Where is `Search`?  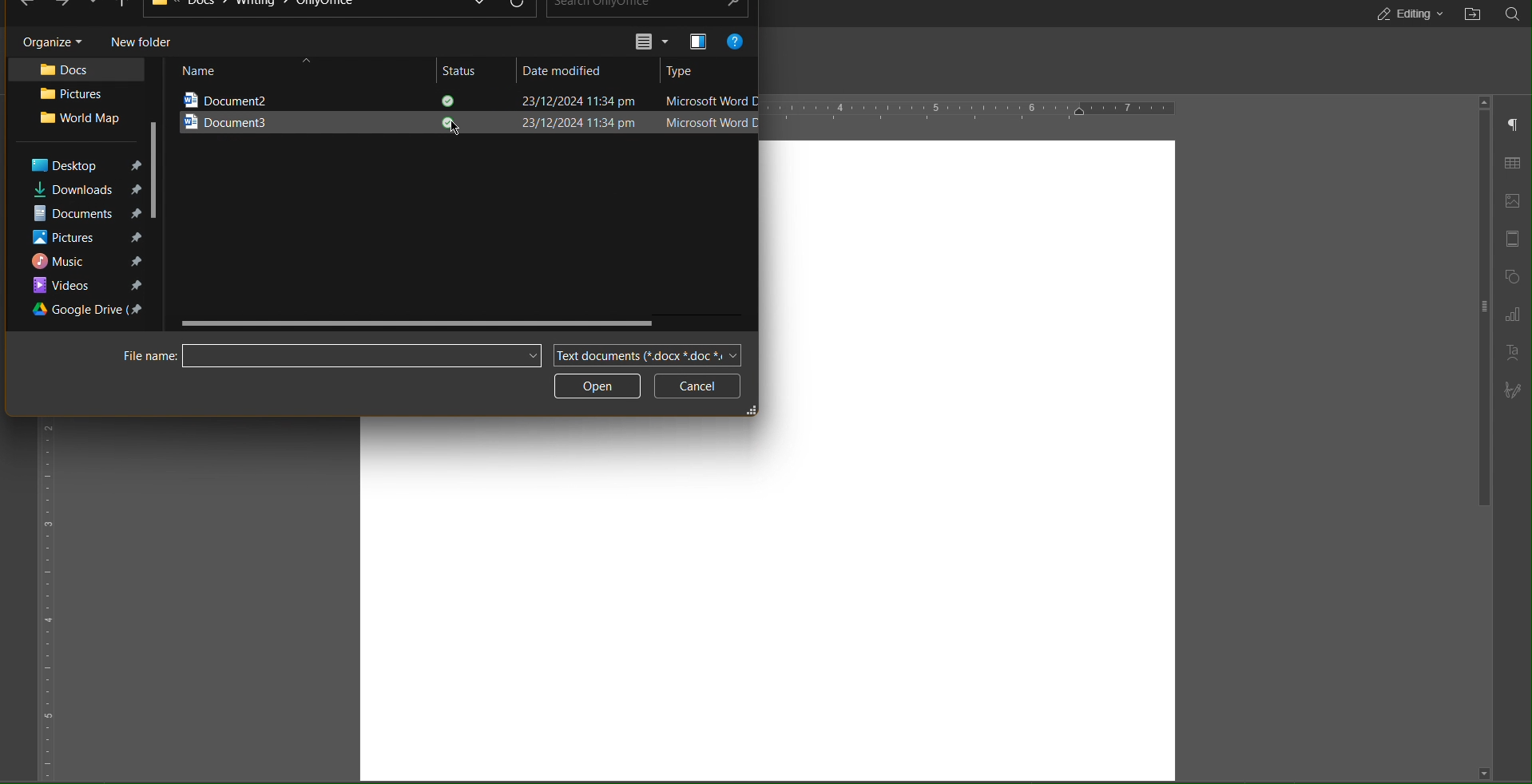 Search is located at coordinates (1514, 14).